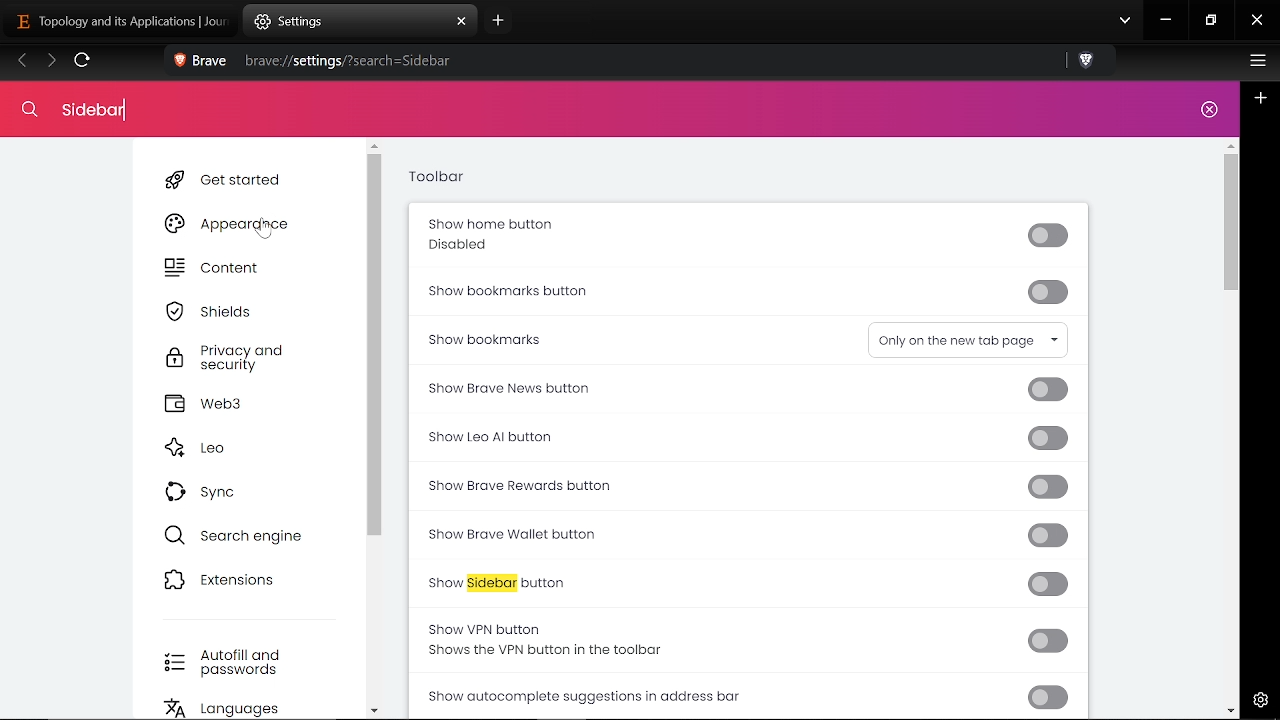 Image resolution: width=1280 pixels, height=720 pixels. What do you see at coordinates (436, 179) in the screenshot?
I see `Toolbar` at bounding box center [436, 179].